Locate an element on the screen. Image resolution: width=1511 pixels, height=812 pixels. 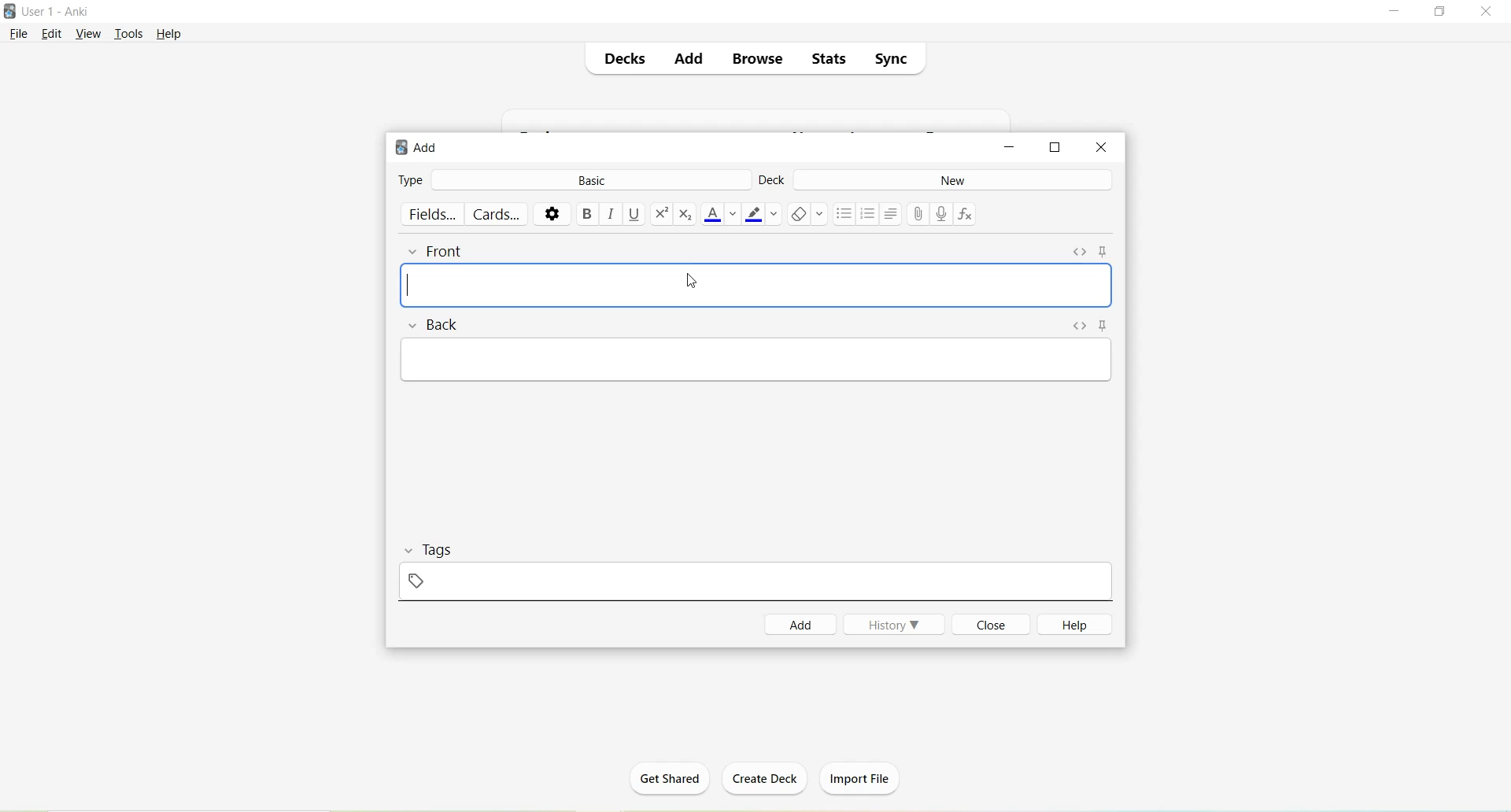
Text Field is located at coordinates (759, 359).